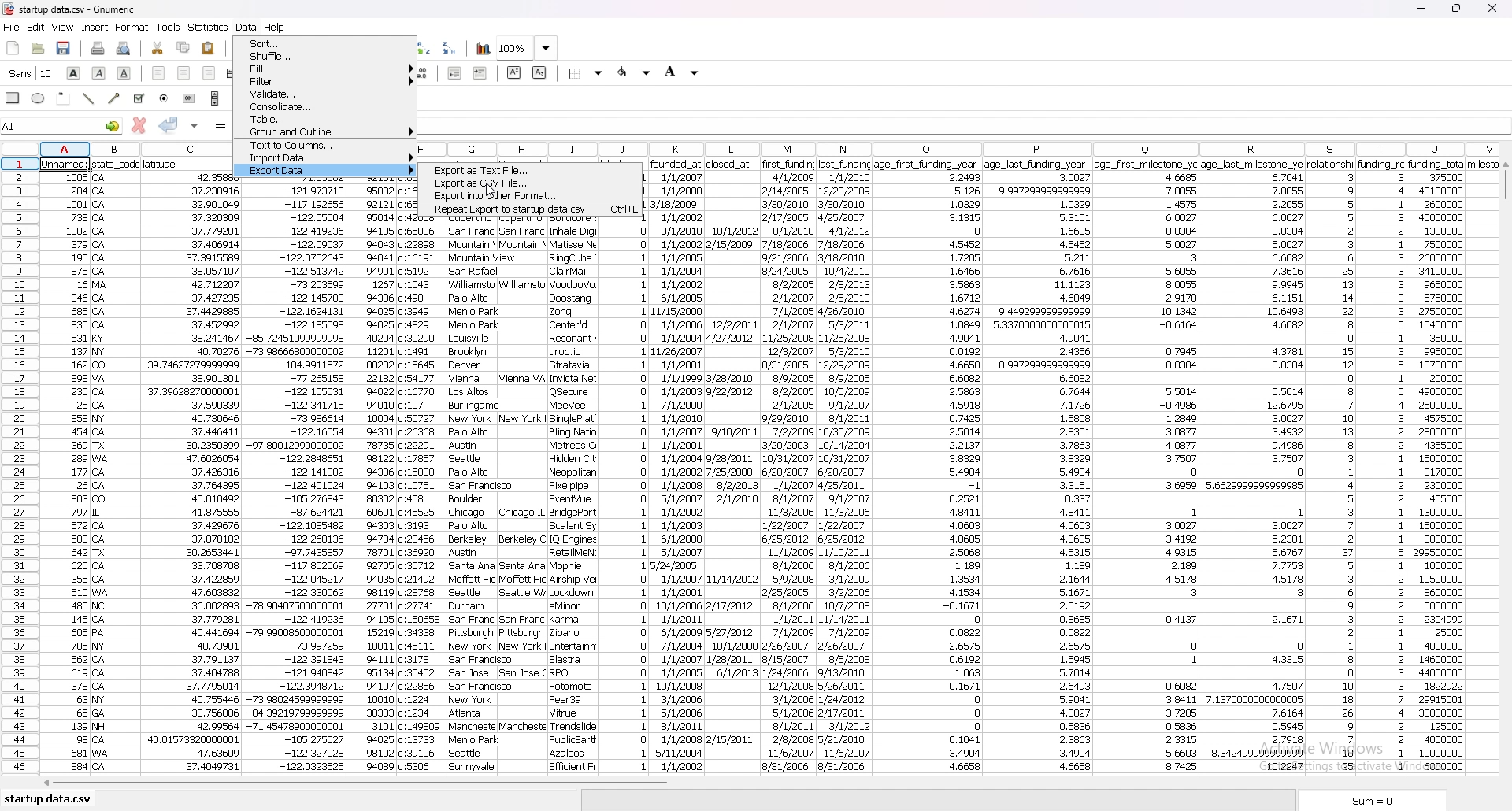 The width and height of the screenshot is (1512, 811). What do you see at coordinates (165, 98) in the screenshot?
I see `radio button` at bounding box center [165, 98].